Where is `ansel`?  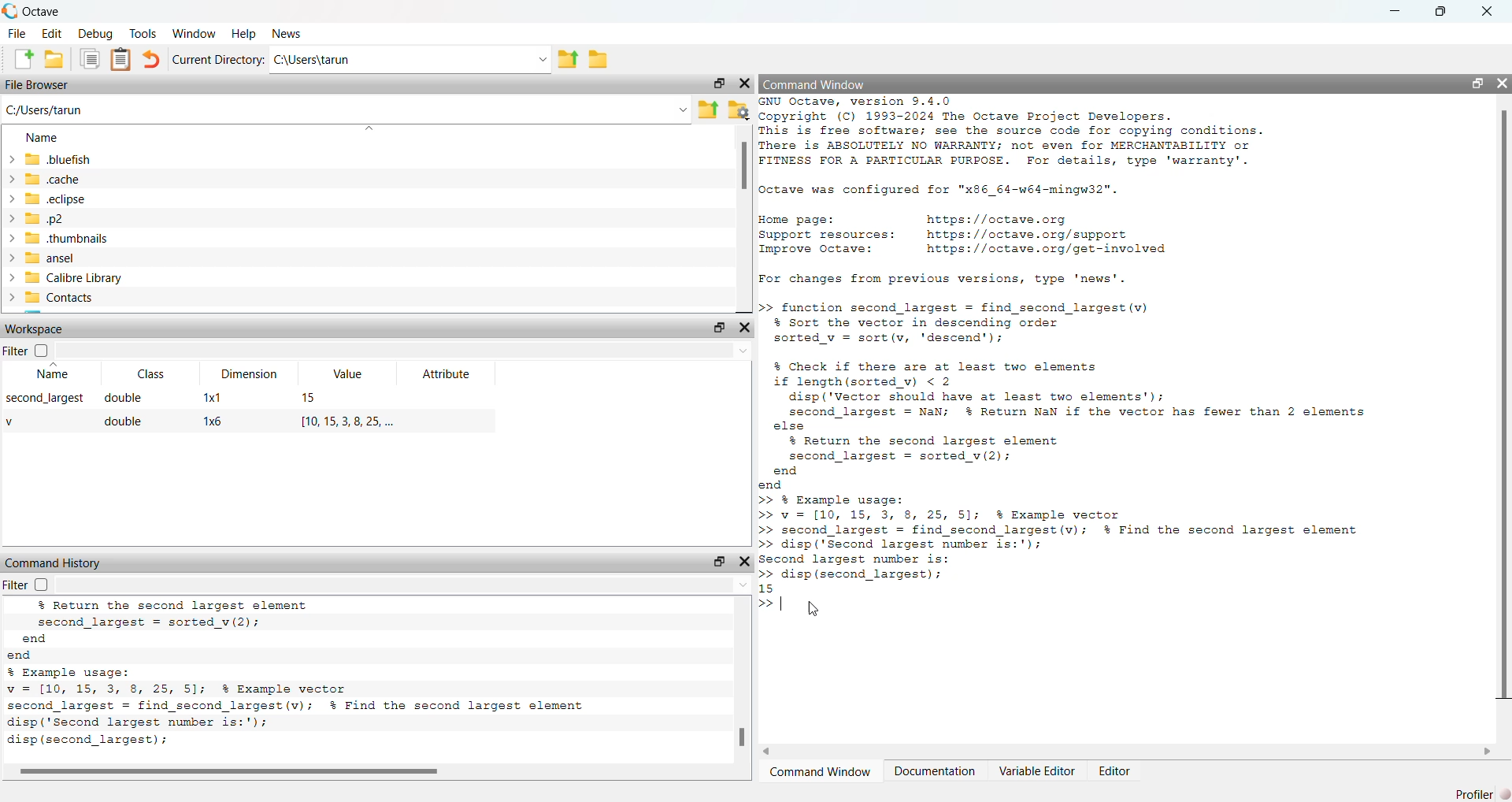
ansel is located at coordinates (72, 258).